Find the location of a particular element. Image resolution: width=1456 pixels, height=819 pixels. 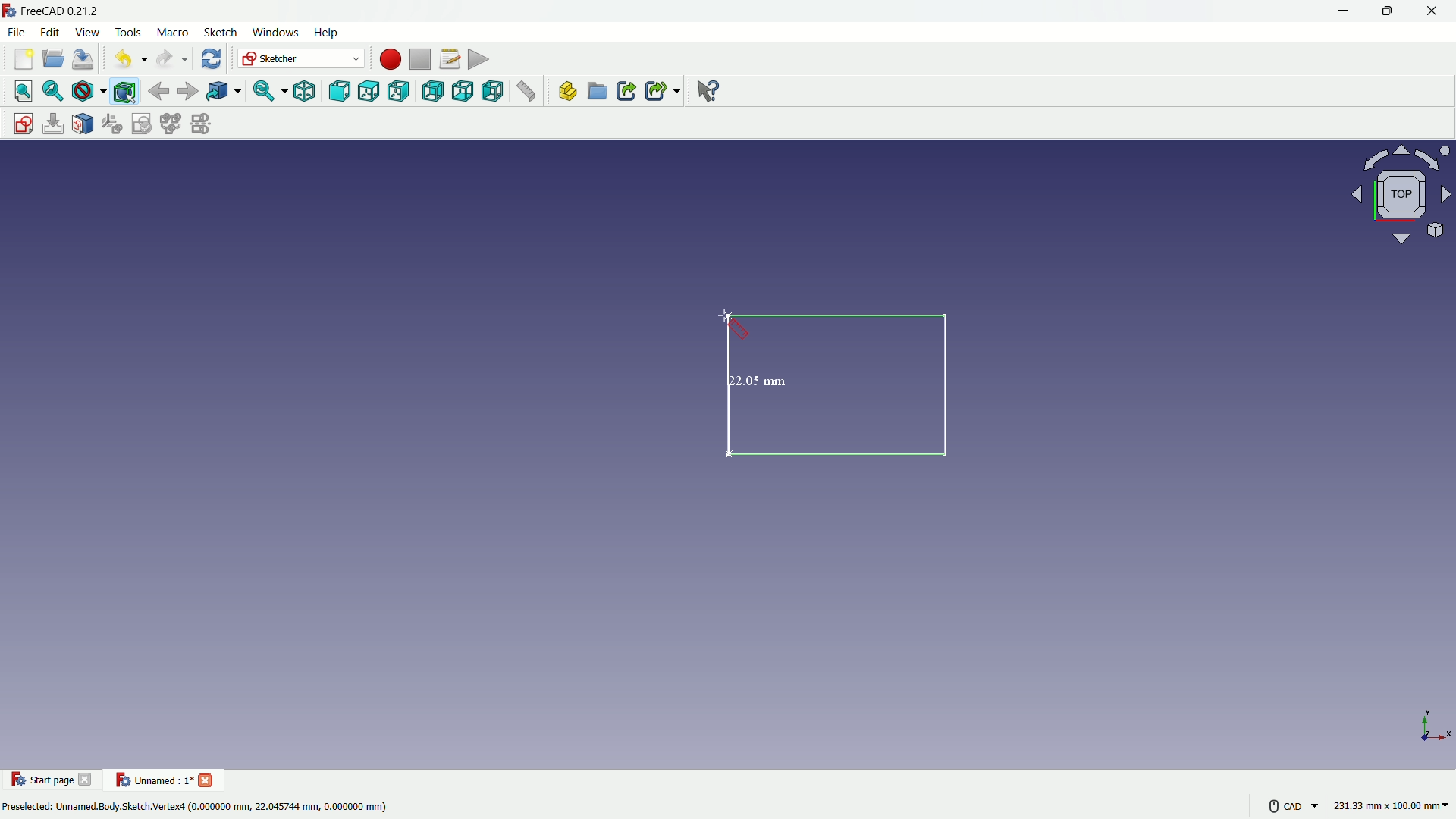

go to linked object is located at coordinates (223, 93).